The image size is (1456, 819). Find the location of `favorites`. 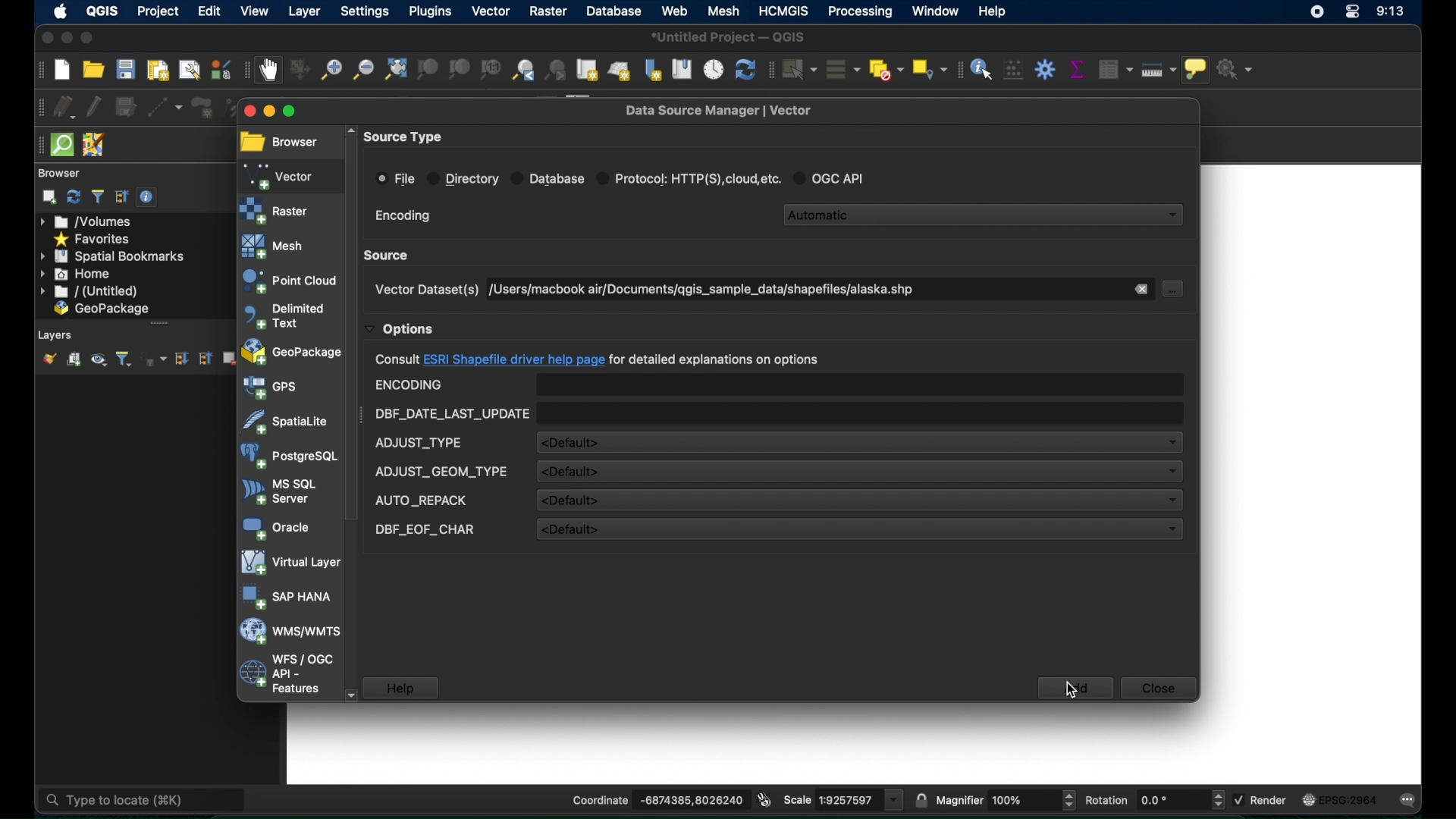

favorites is located at coordinates (93, 238).